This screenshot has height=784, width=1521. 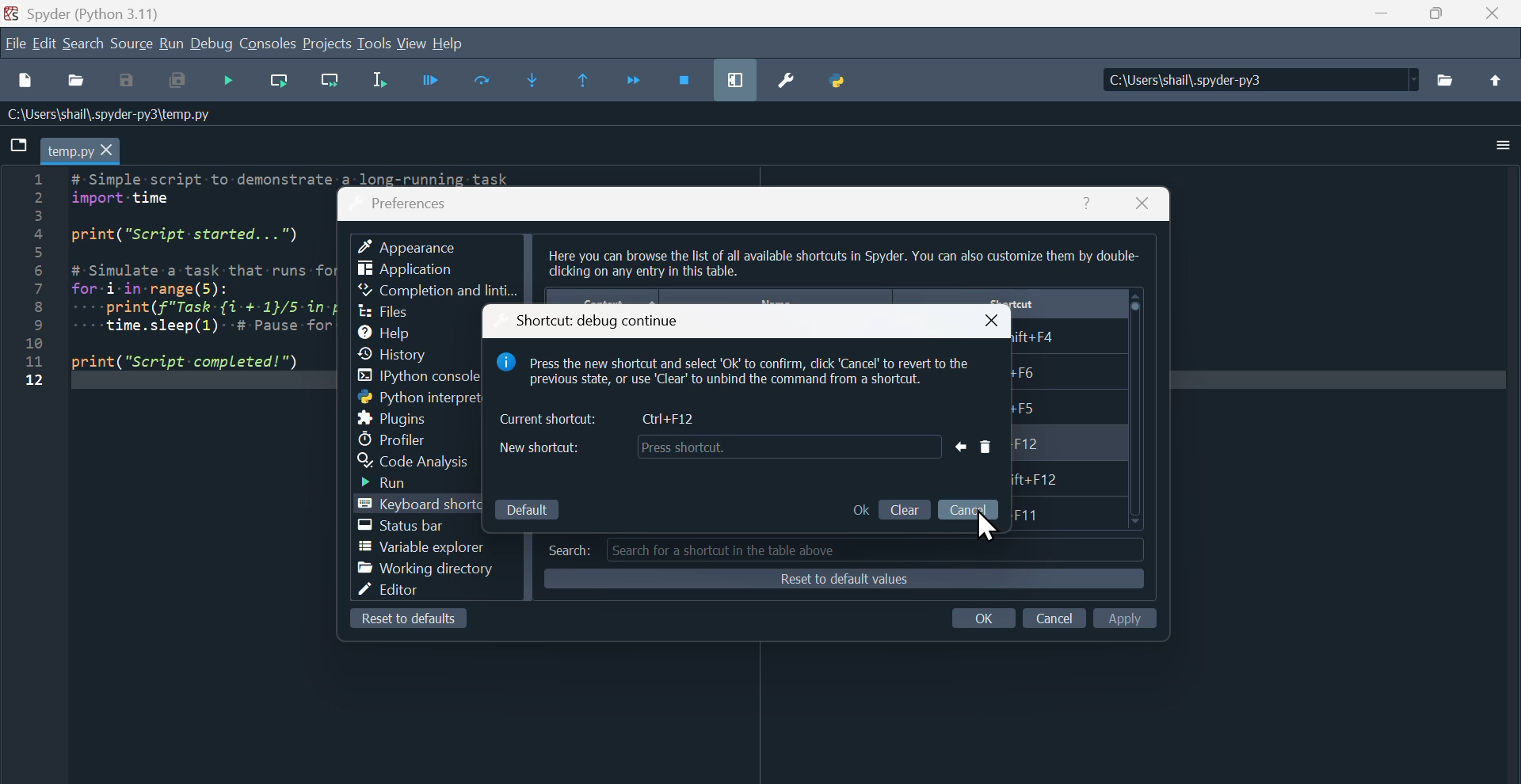 What do you see at coordinates (534, 78) in the screenshot?
I see `Step into function` at bounding box center [534, 78].